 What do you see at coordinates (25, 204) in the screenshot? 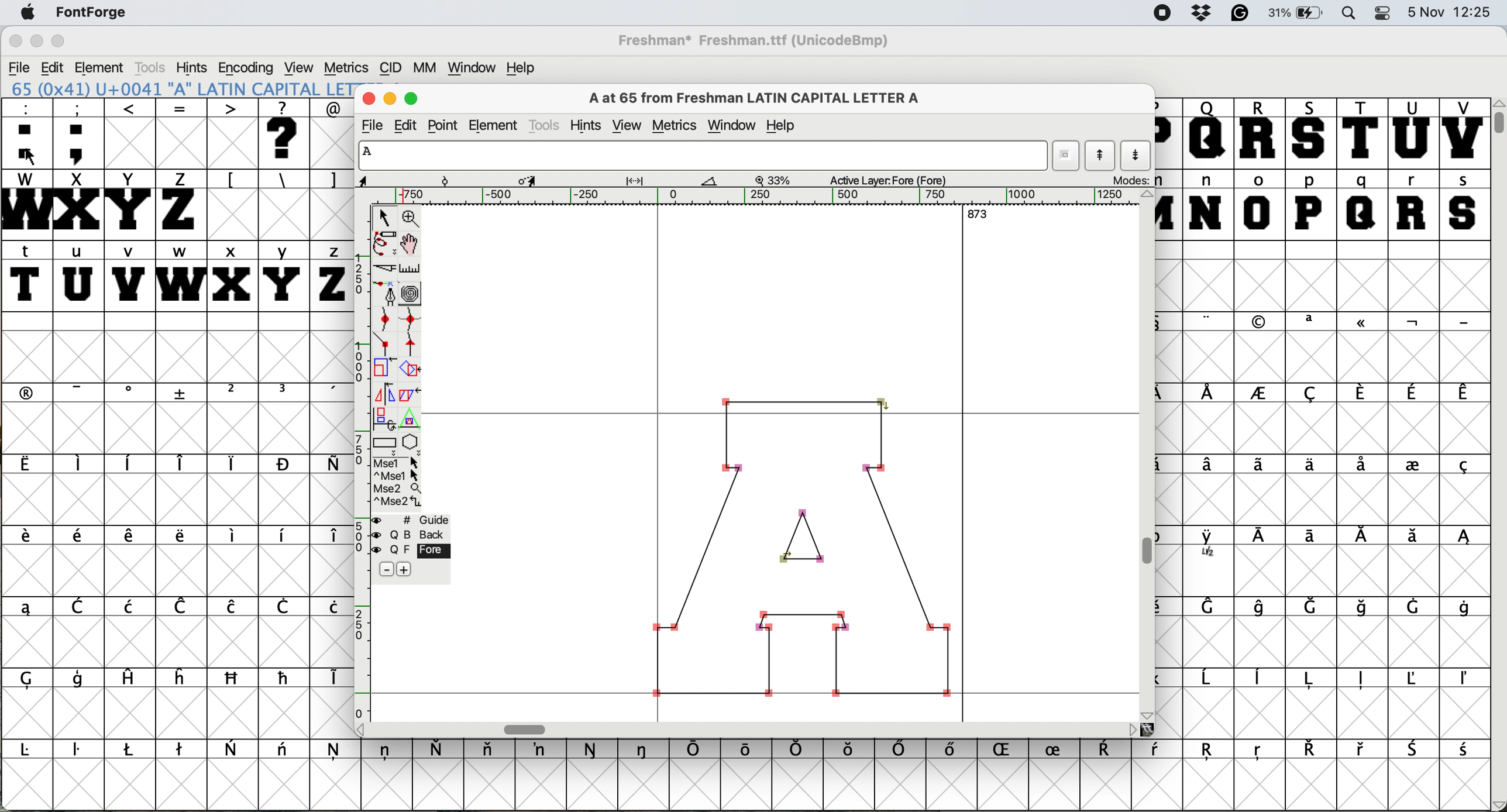
I see `W` at bounding box center [25, 204].